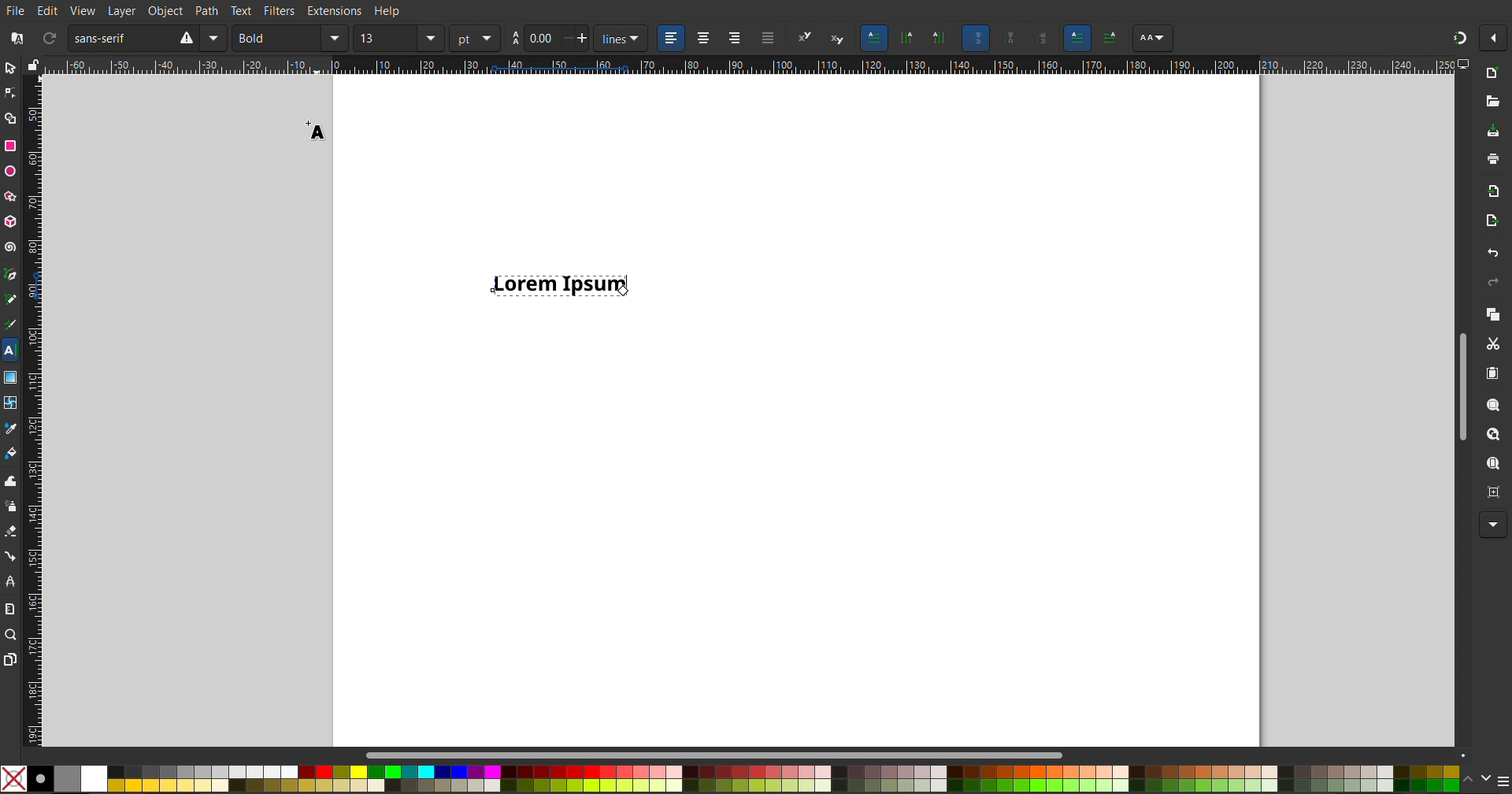 Image resolution: width=1512 pixels, height=794 pixels. Describe the element at coordinates (1492, 314) in the screenshot. I see `Copy` at that location.